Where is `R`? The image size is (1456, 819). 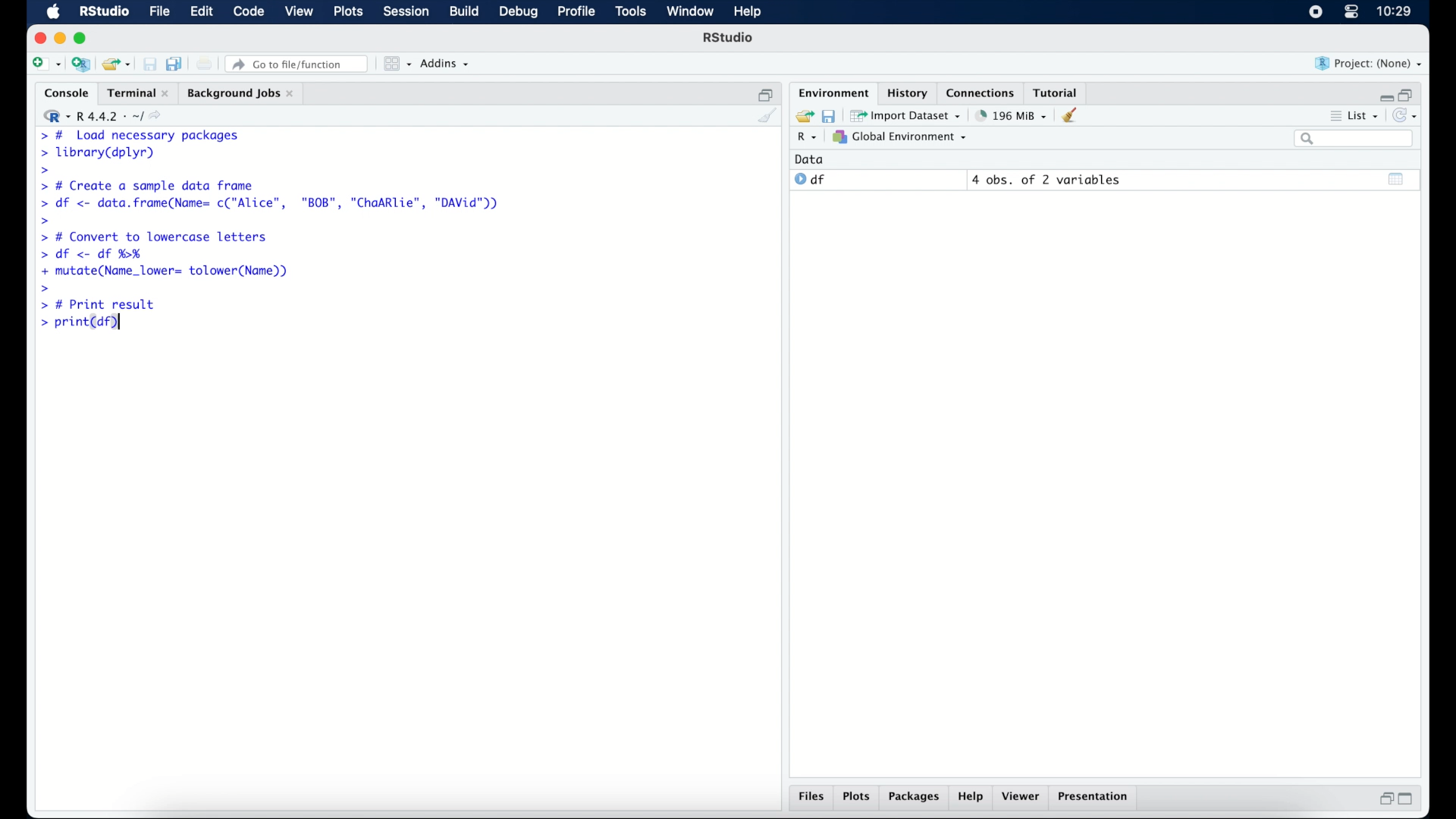
R is located at coordinates (805, 139).